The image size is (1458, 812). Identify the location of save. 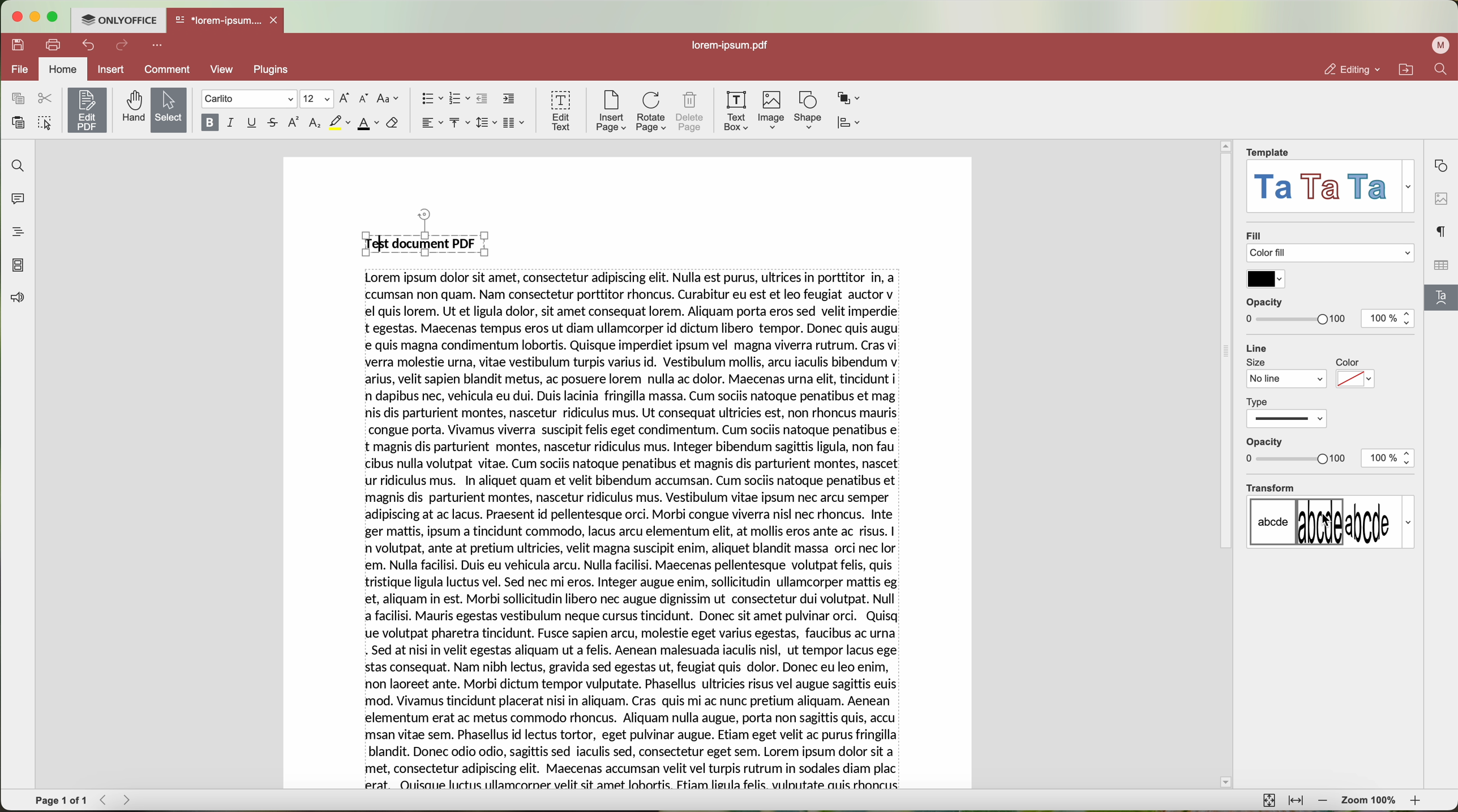
(19, 45).